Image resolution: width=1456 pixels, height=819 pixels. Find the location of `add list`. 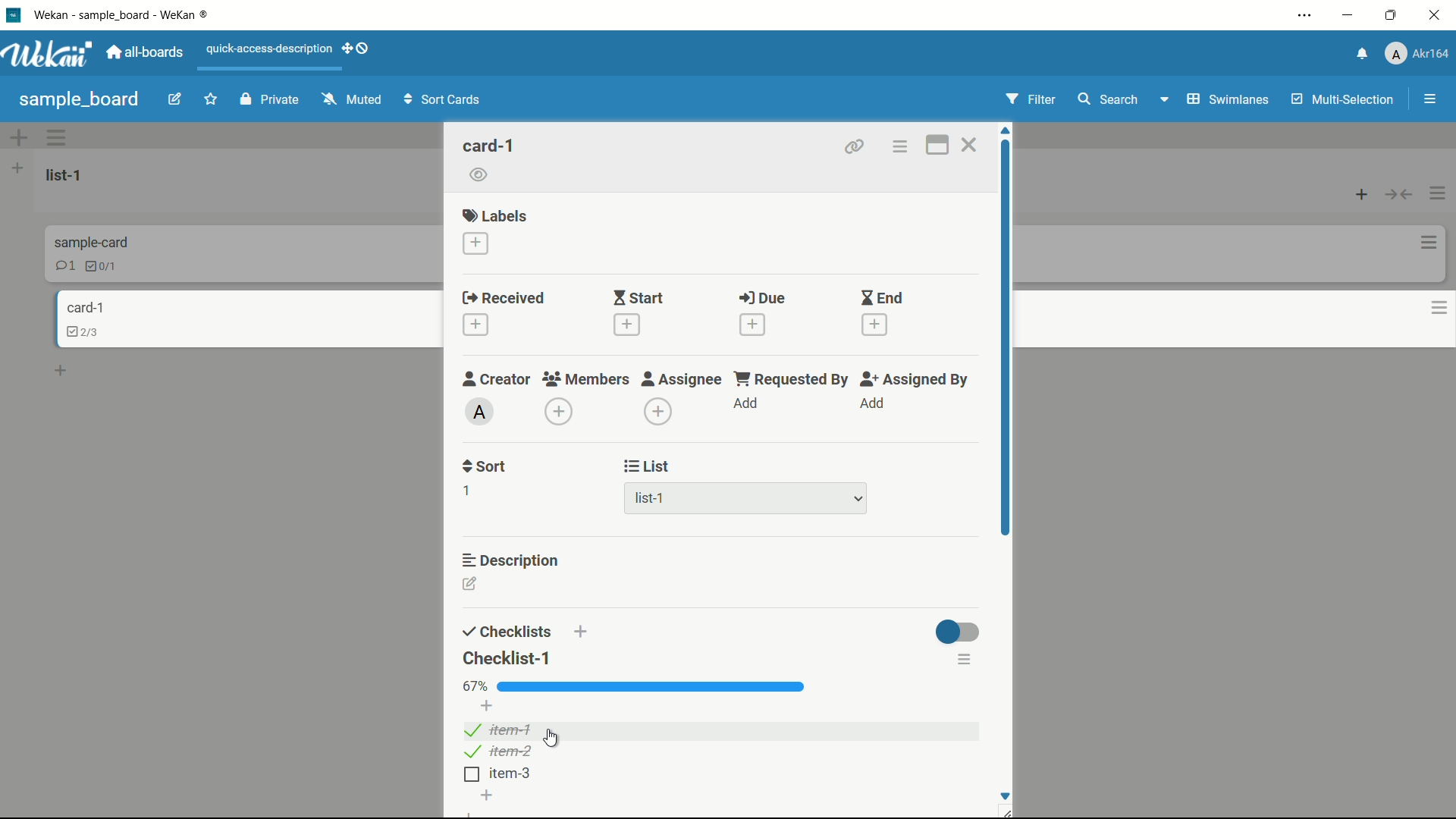

add list is located at coordinates (17, 168).